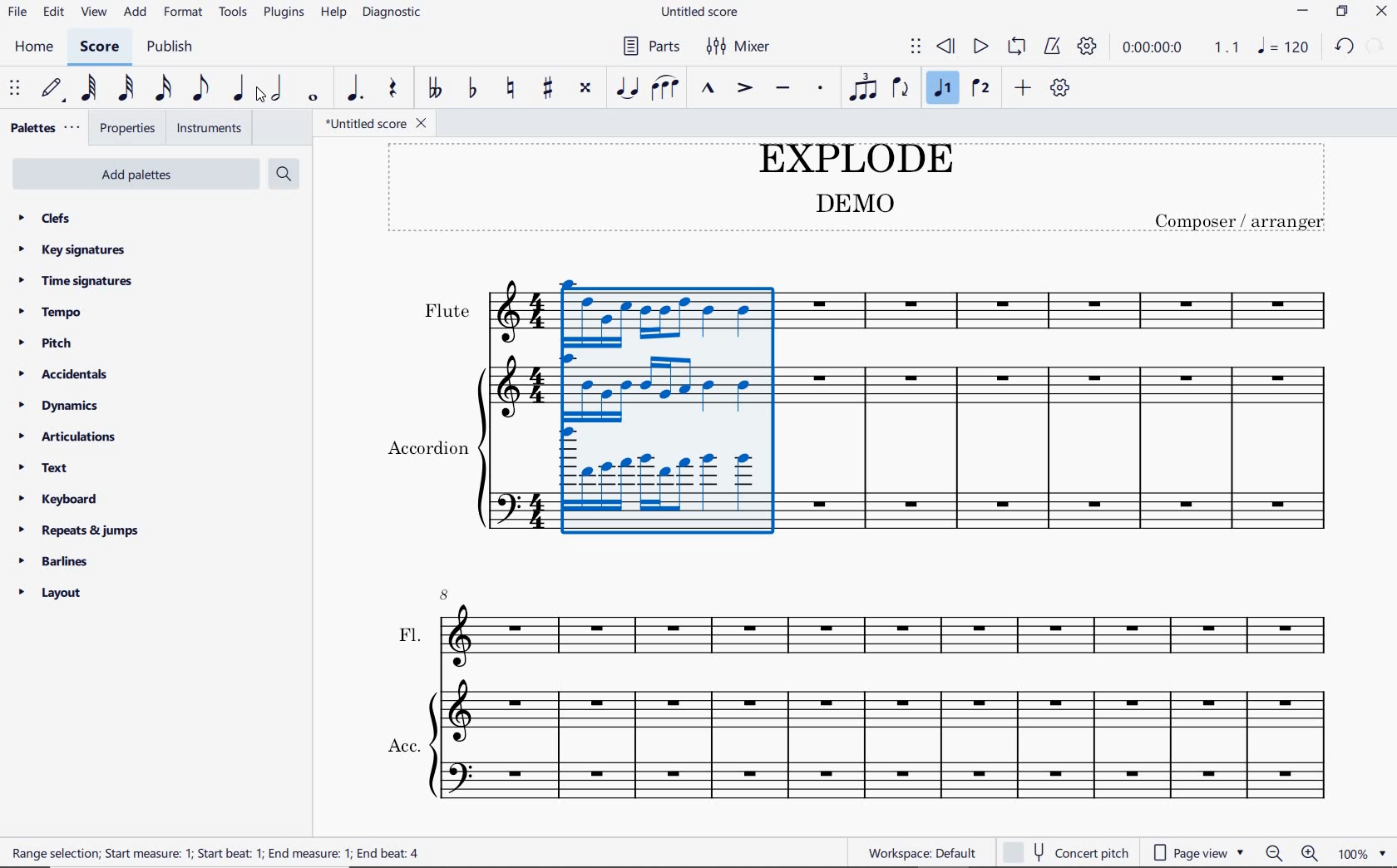 The width and height of the screenshot is (1397, 868). What do you see at coordinates (16, 12) in the screenshot?
I see `file` at bounding box center [16, 12].